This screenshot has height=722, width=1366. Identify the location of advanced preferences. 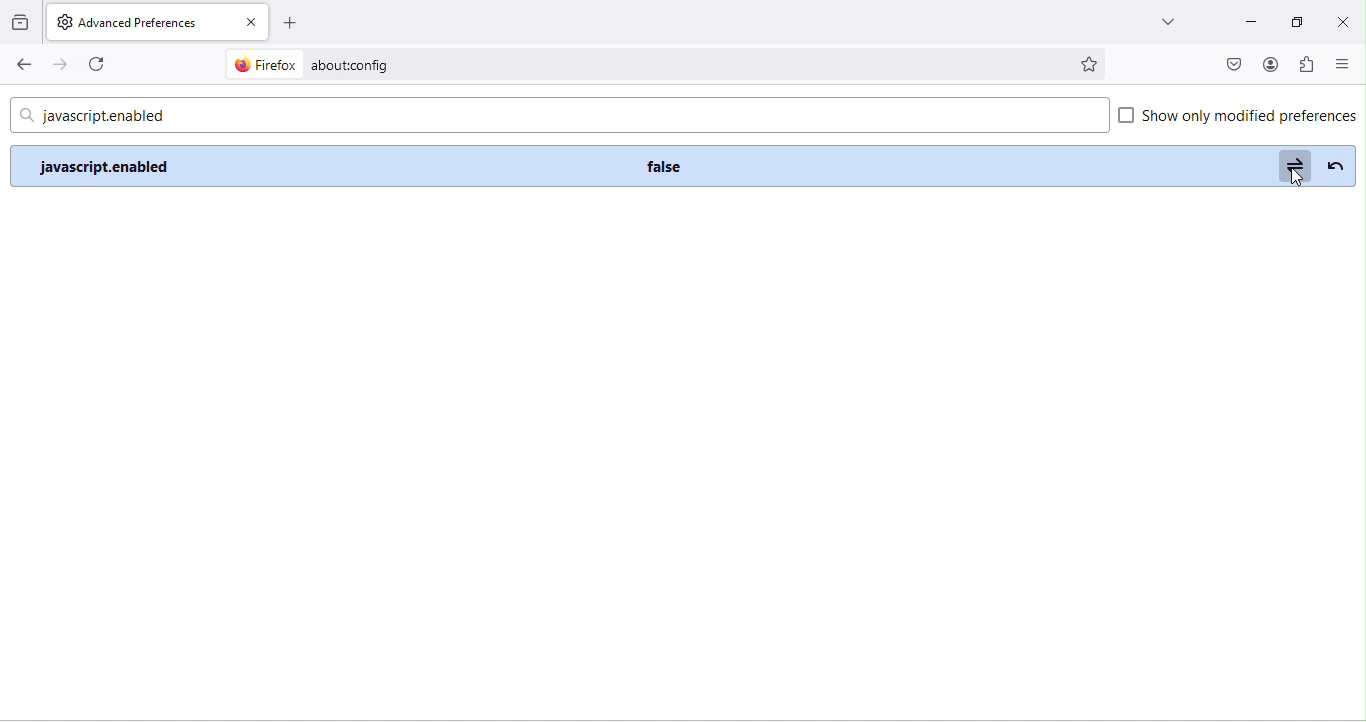
(138, 22).